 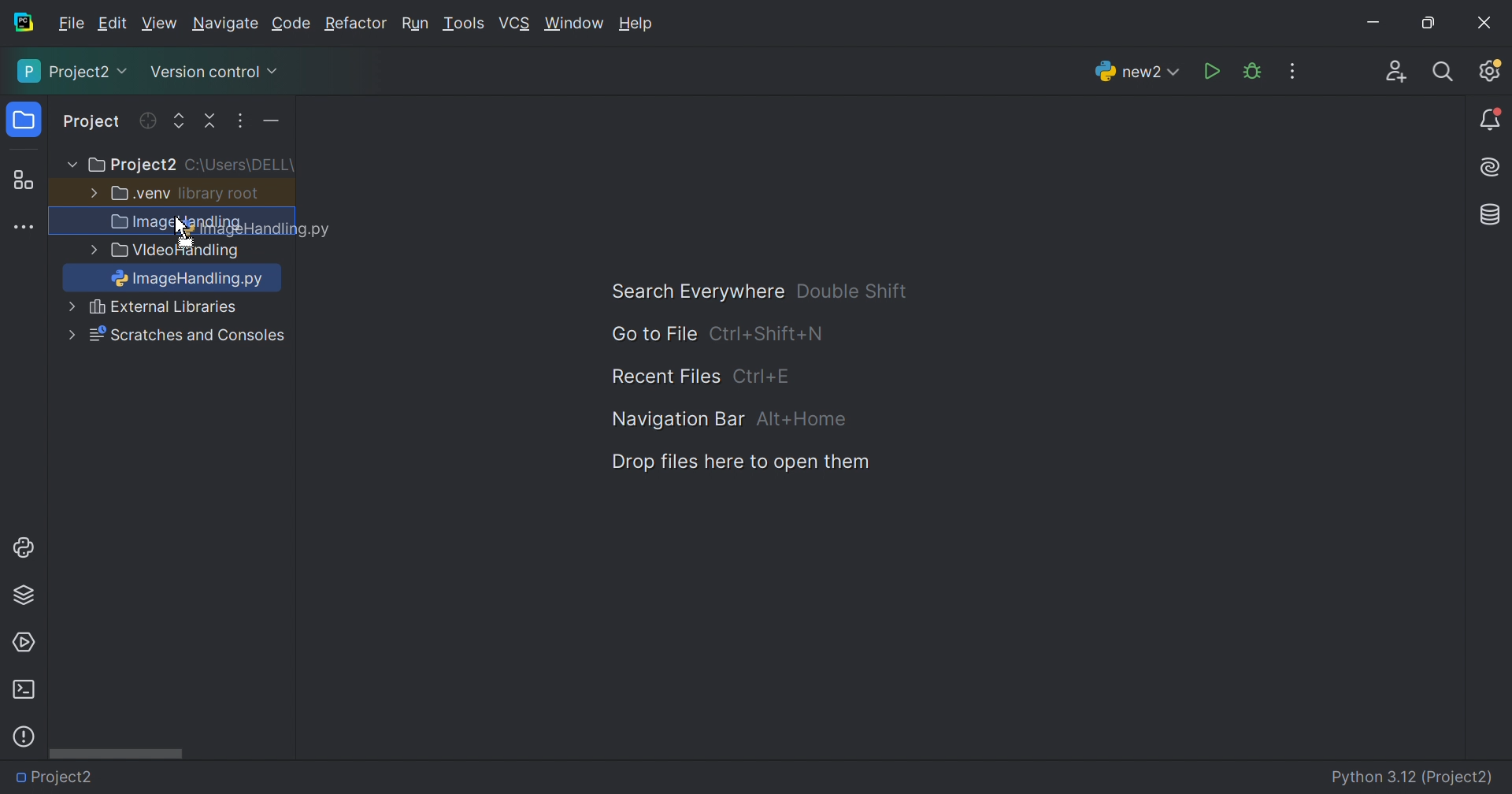 What do you see at coordinates (23, 690) in the screenshot?
I see `Terminal` at bounding box center [23, 690].